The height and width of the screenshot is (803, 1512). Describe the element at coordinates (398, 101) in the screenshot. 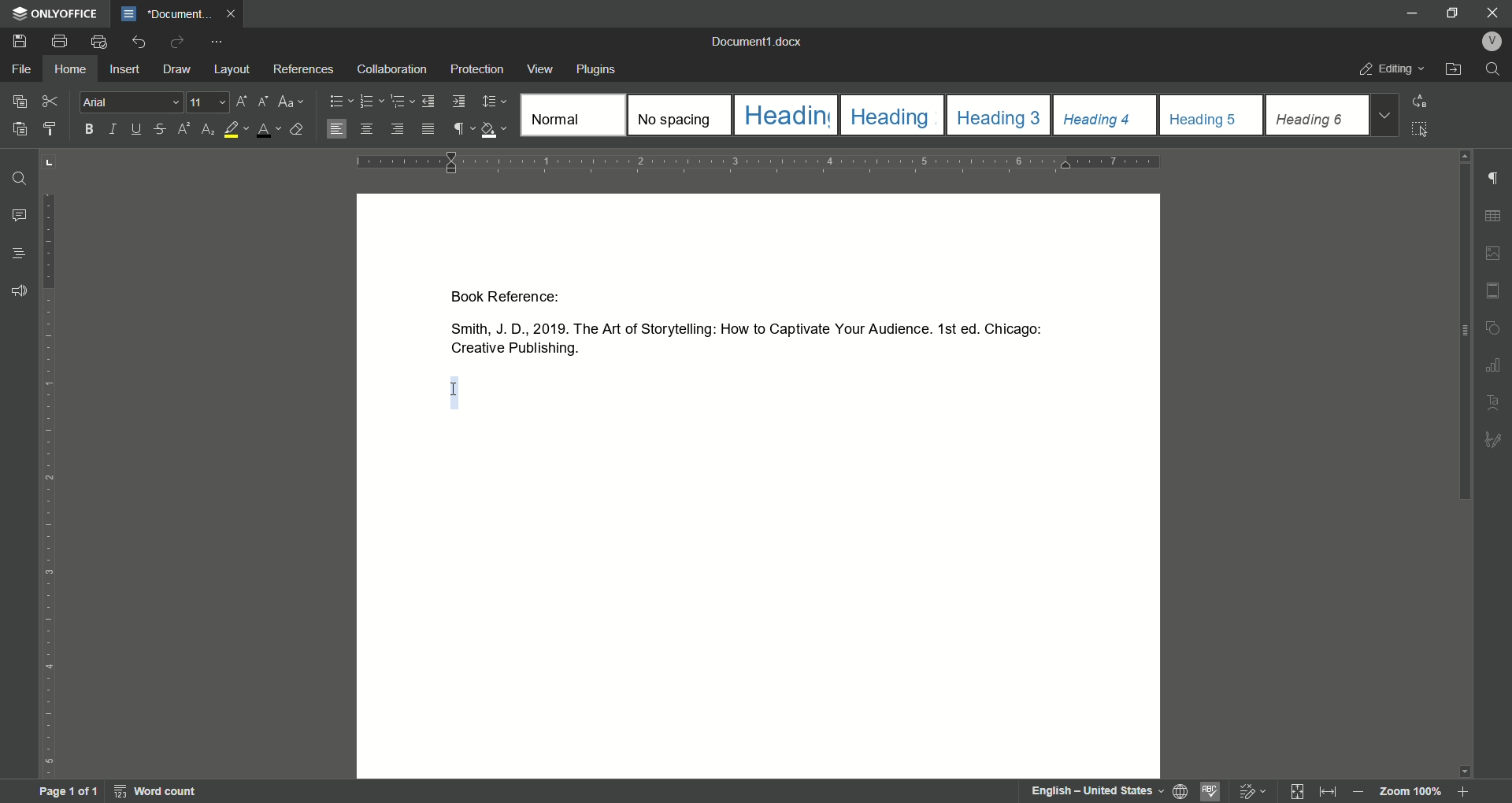

I see `multilevel list` at that location.